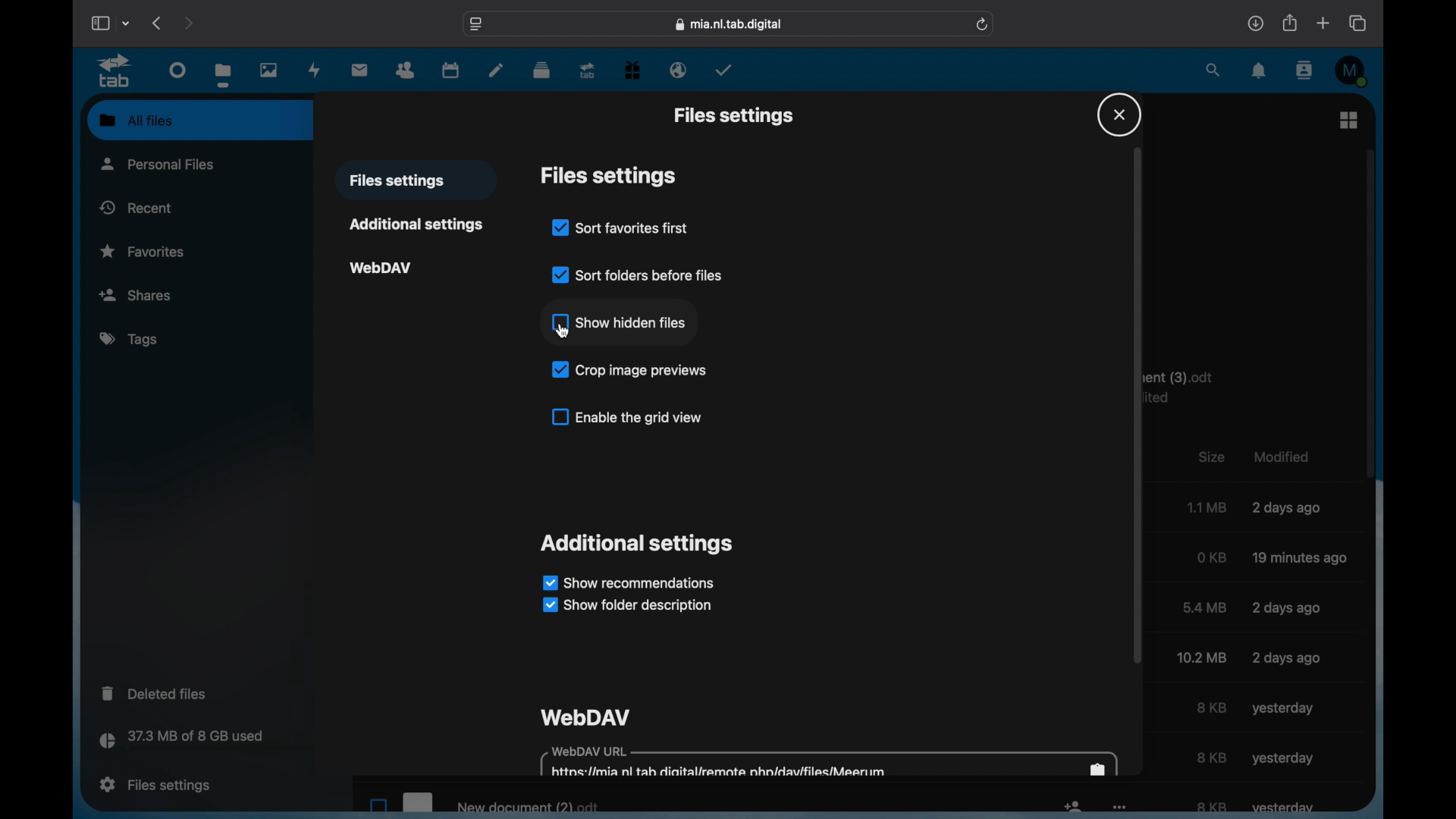 This screenshot has width=1456, height=819. I want to click on deleted files, so click(155, 692).